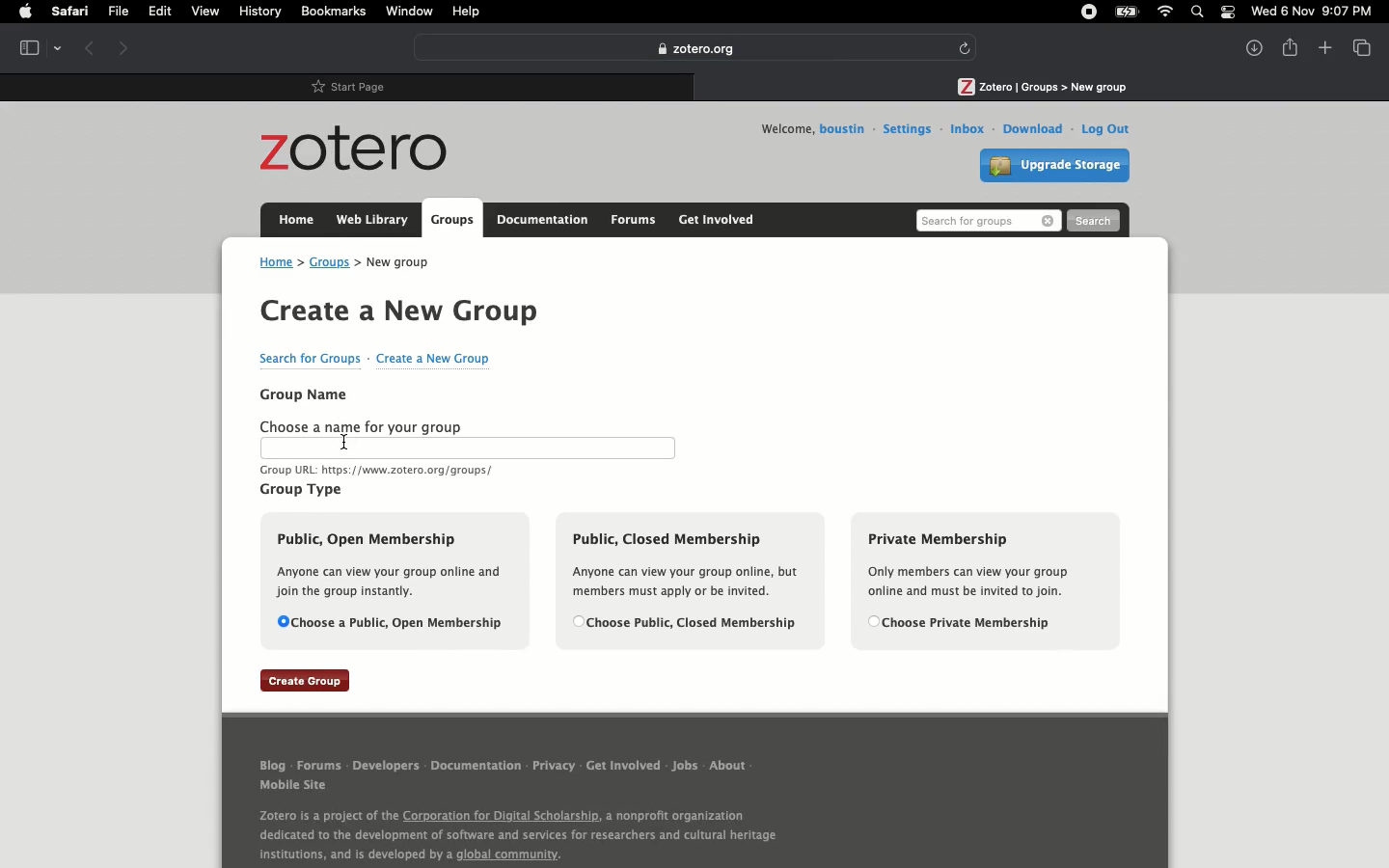  What do you see at coordinates (781, 128) in the screenshot?
I see `Welcome` at bounding box center [781, 128].